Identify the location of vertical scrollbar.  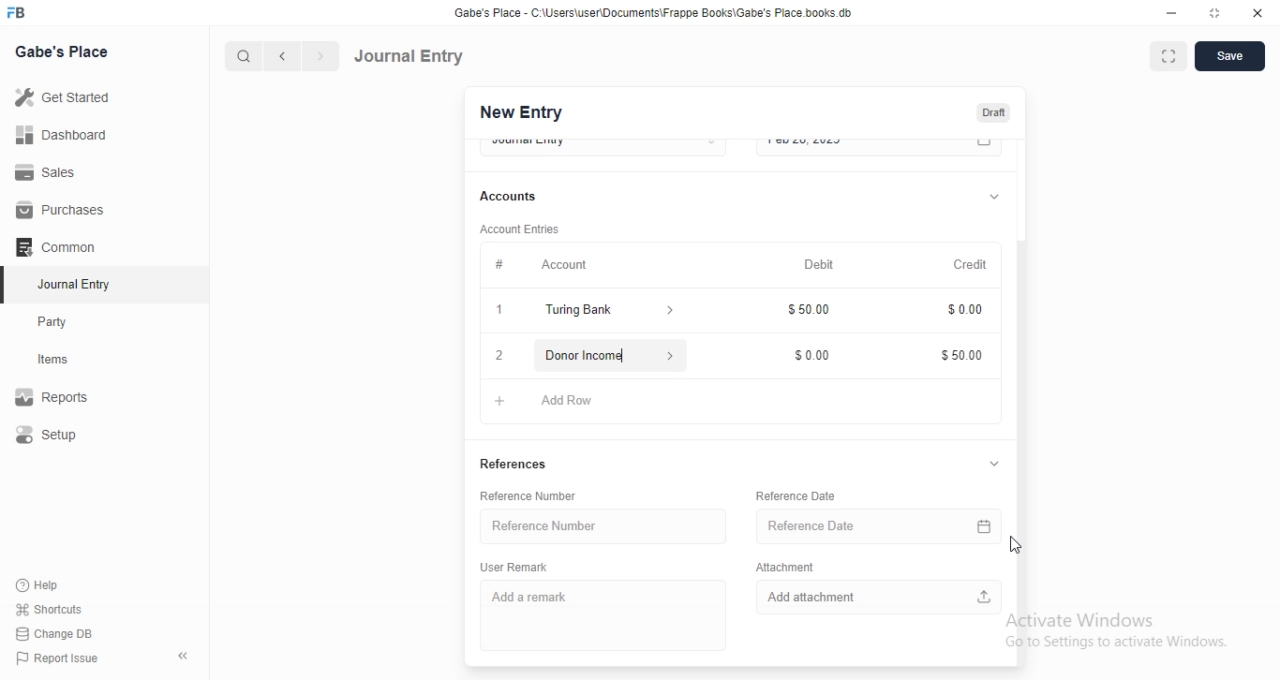
(1026, 451).